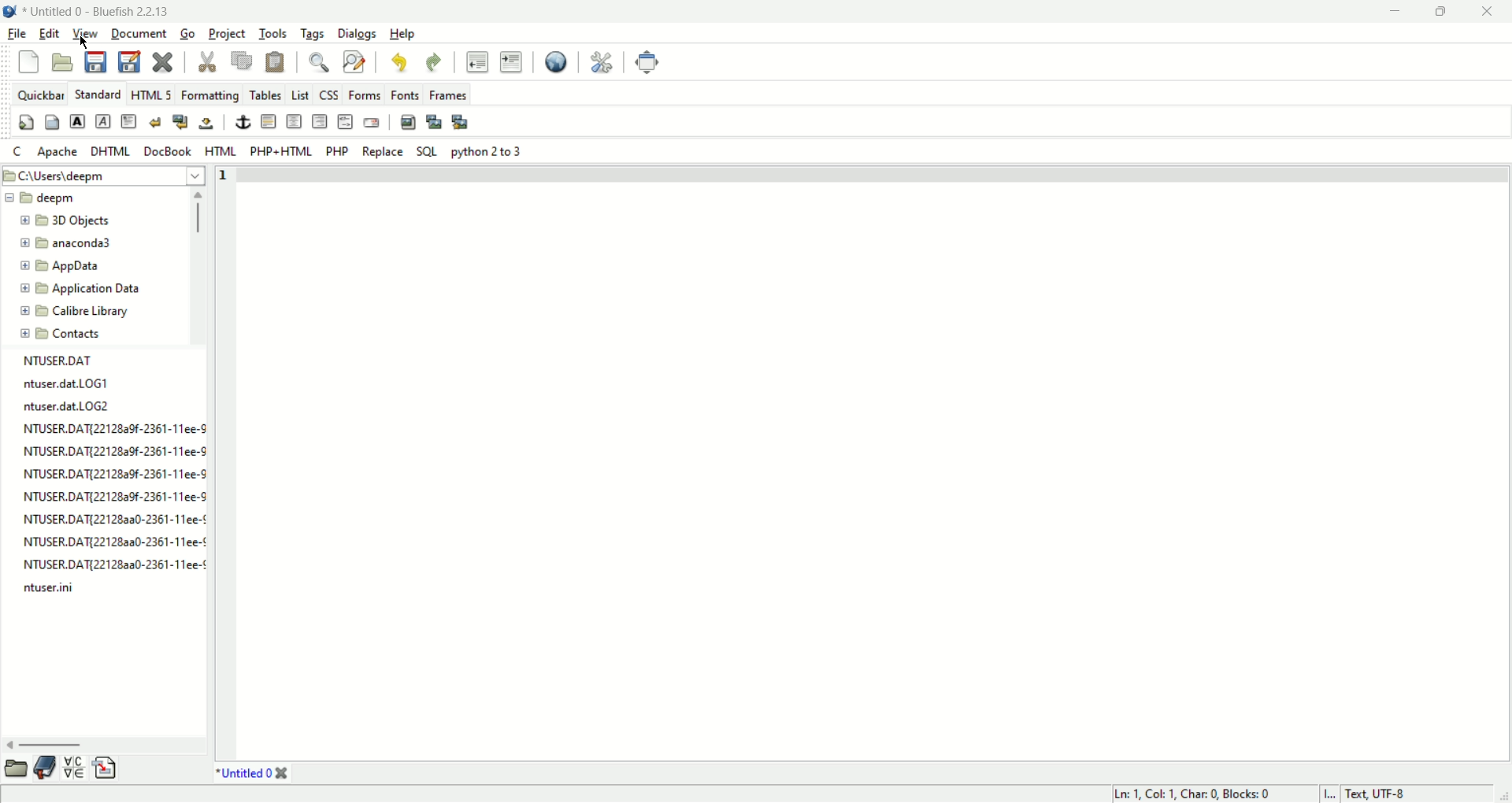 This screenshot has height=803, width=1512. I want to click on NTUSER.DAT, so click(61, 364).